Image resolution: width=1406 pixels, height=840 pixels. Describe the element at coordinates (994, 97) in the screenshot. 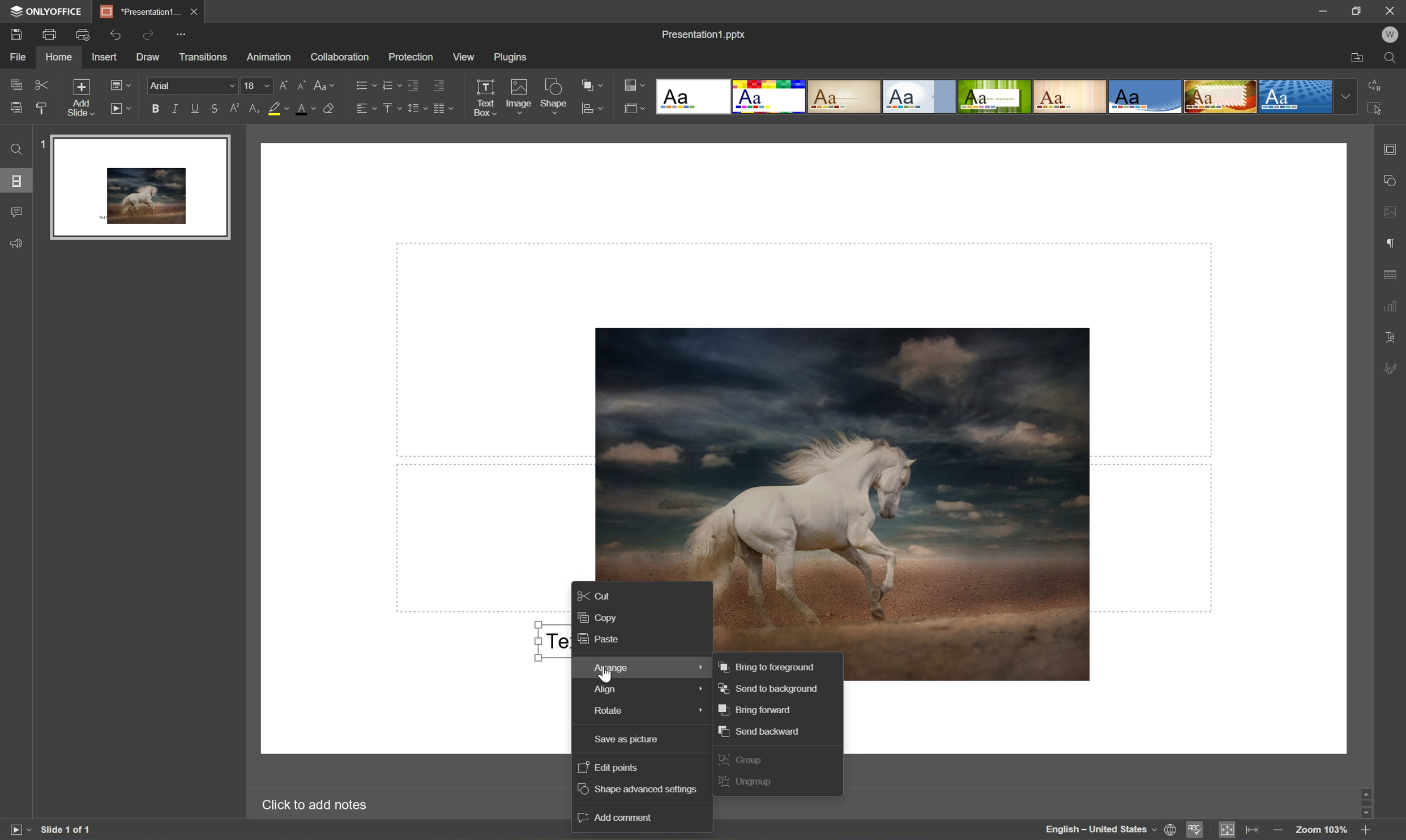

I see `Green Leaf` at that location.